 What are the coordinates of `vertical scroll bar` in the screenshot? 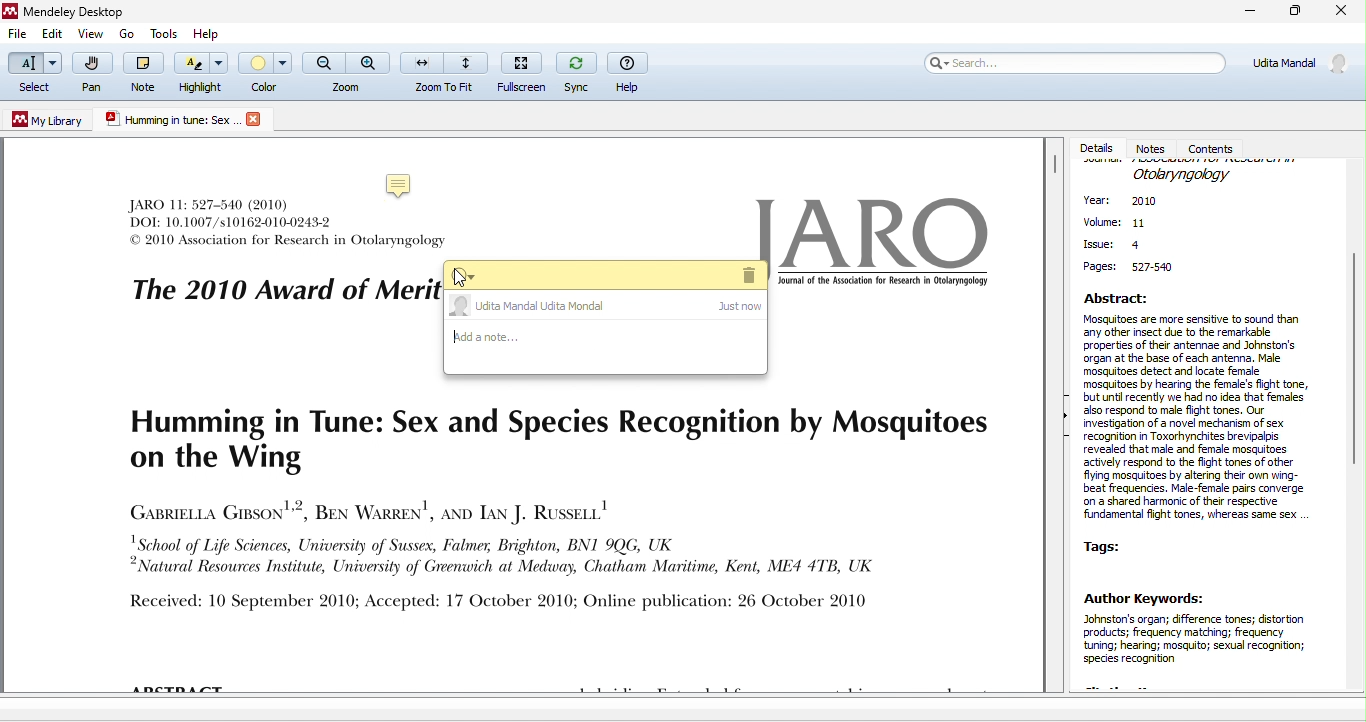 It's located at (1054, 168).